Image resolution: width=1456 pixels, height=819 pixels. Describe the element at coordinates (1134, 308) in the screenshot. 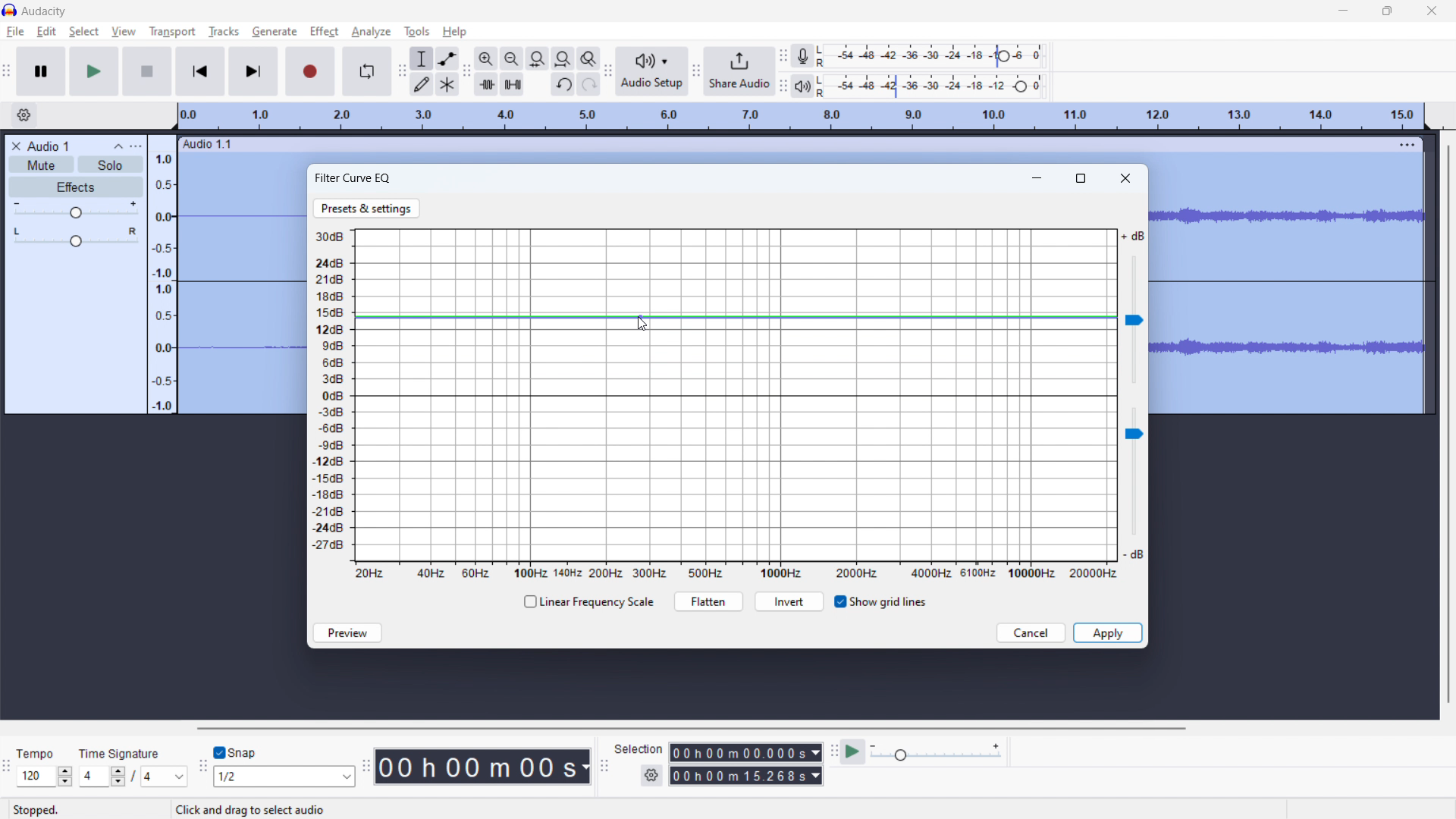

I see `volume slider` at that location.